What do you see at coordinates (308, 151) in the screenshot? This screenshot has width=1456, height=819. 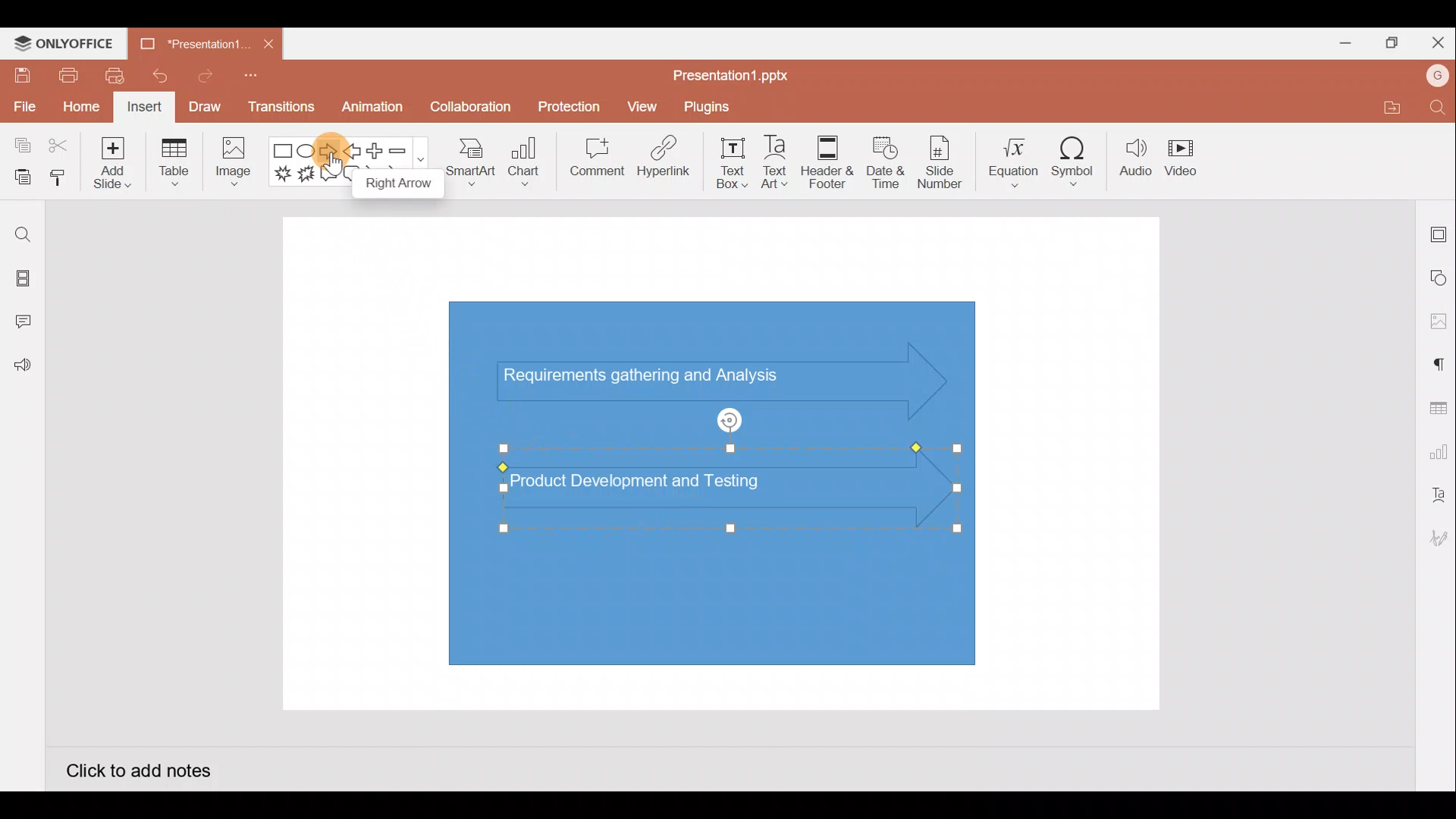 I see `Ellipse` at bounding box center [308, 151].